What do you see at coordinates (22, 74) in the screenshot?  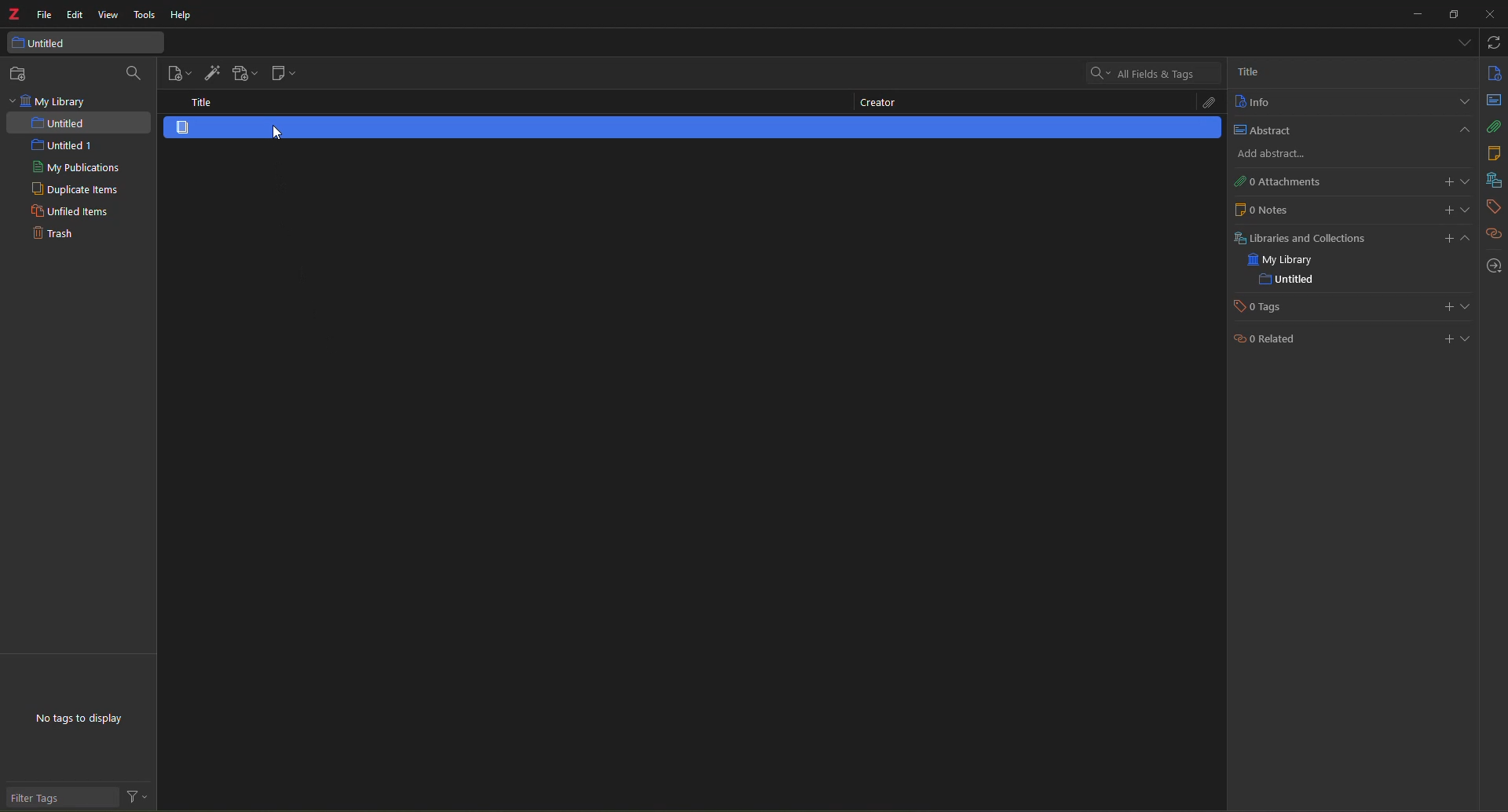 I see `new collection` at bounding box center [22, 74].